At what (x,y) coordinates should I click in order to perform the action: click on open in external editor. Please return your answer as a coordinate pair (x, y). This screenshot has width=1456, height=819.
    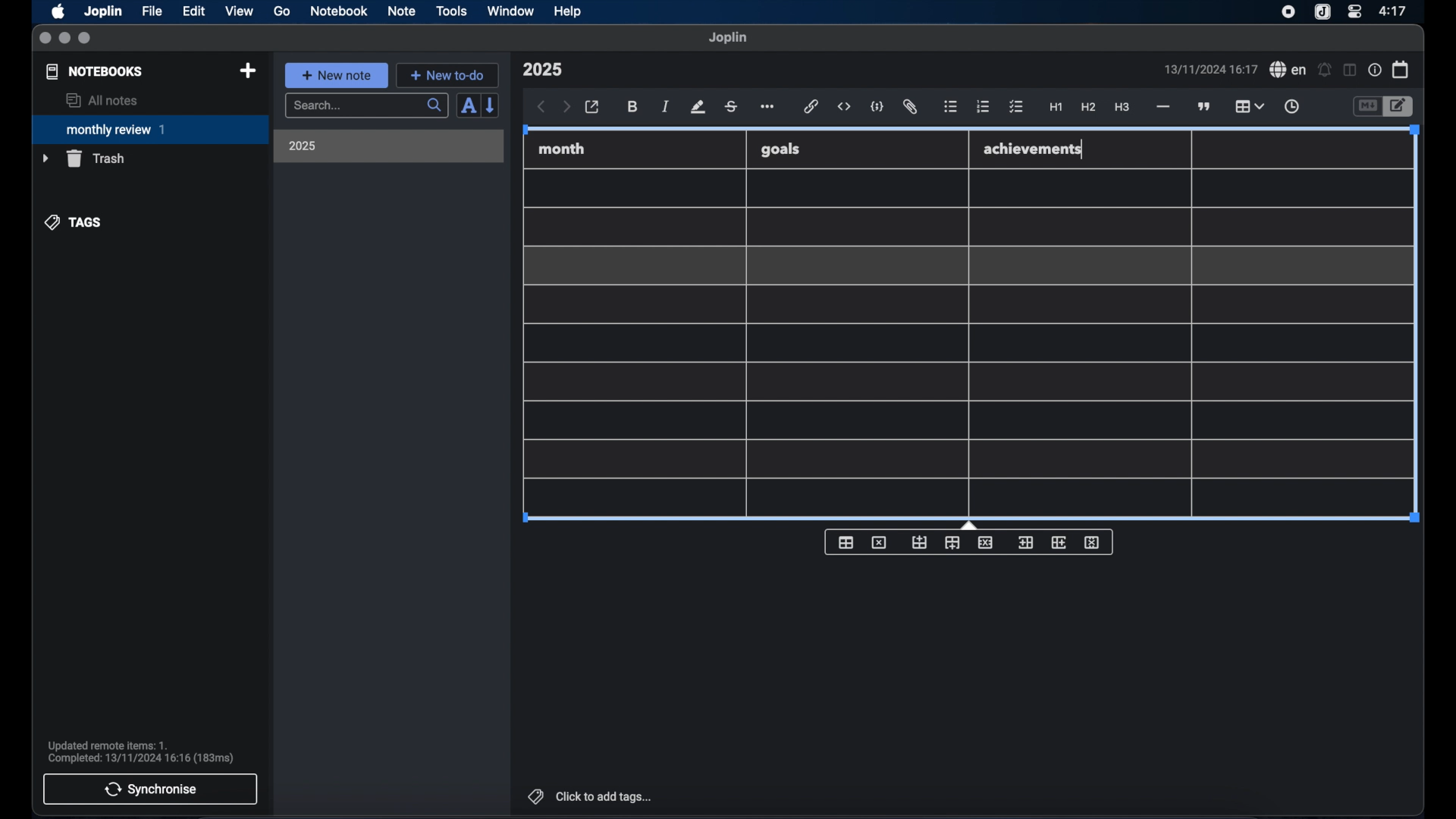
    Looking at the image, I should click on (593, 108).